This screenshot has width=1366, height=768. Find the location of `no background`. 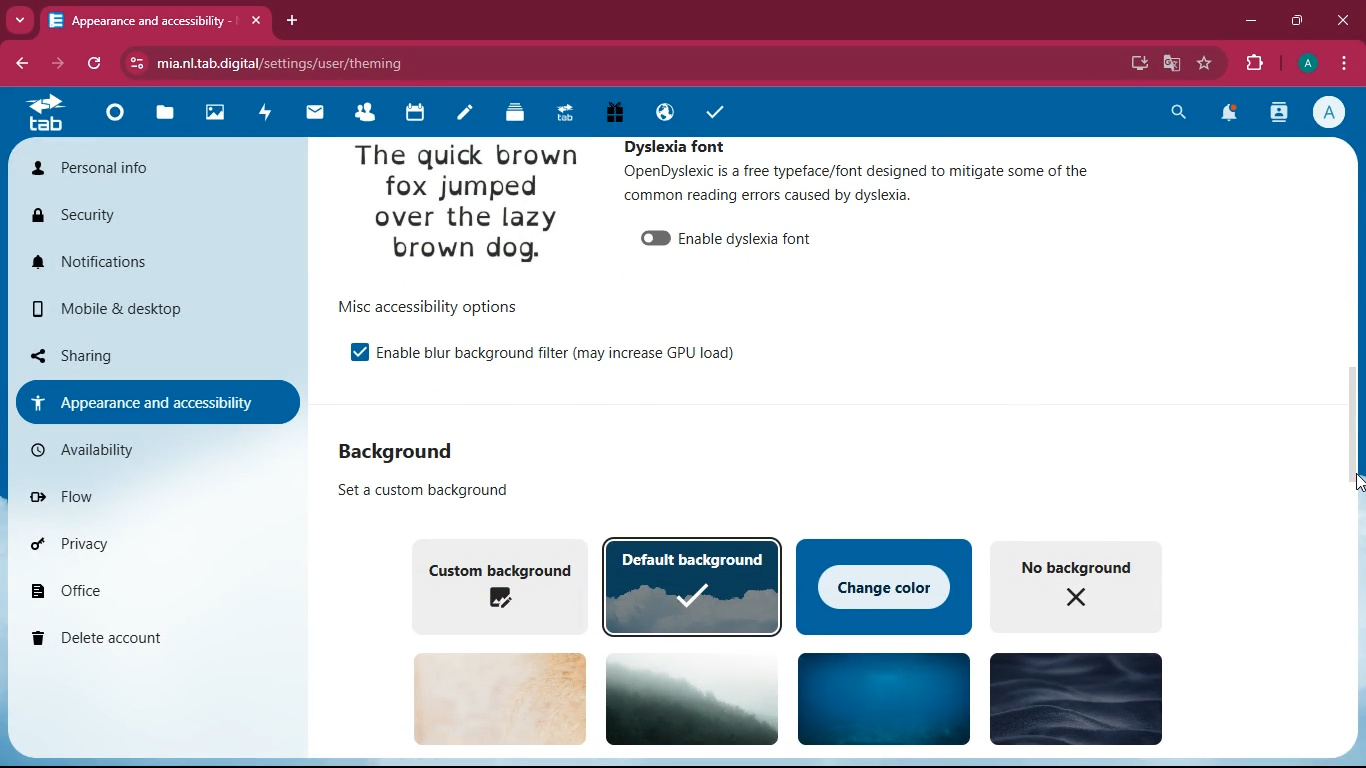

no background is located at coordinates (1085, 585).